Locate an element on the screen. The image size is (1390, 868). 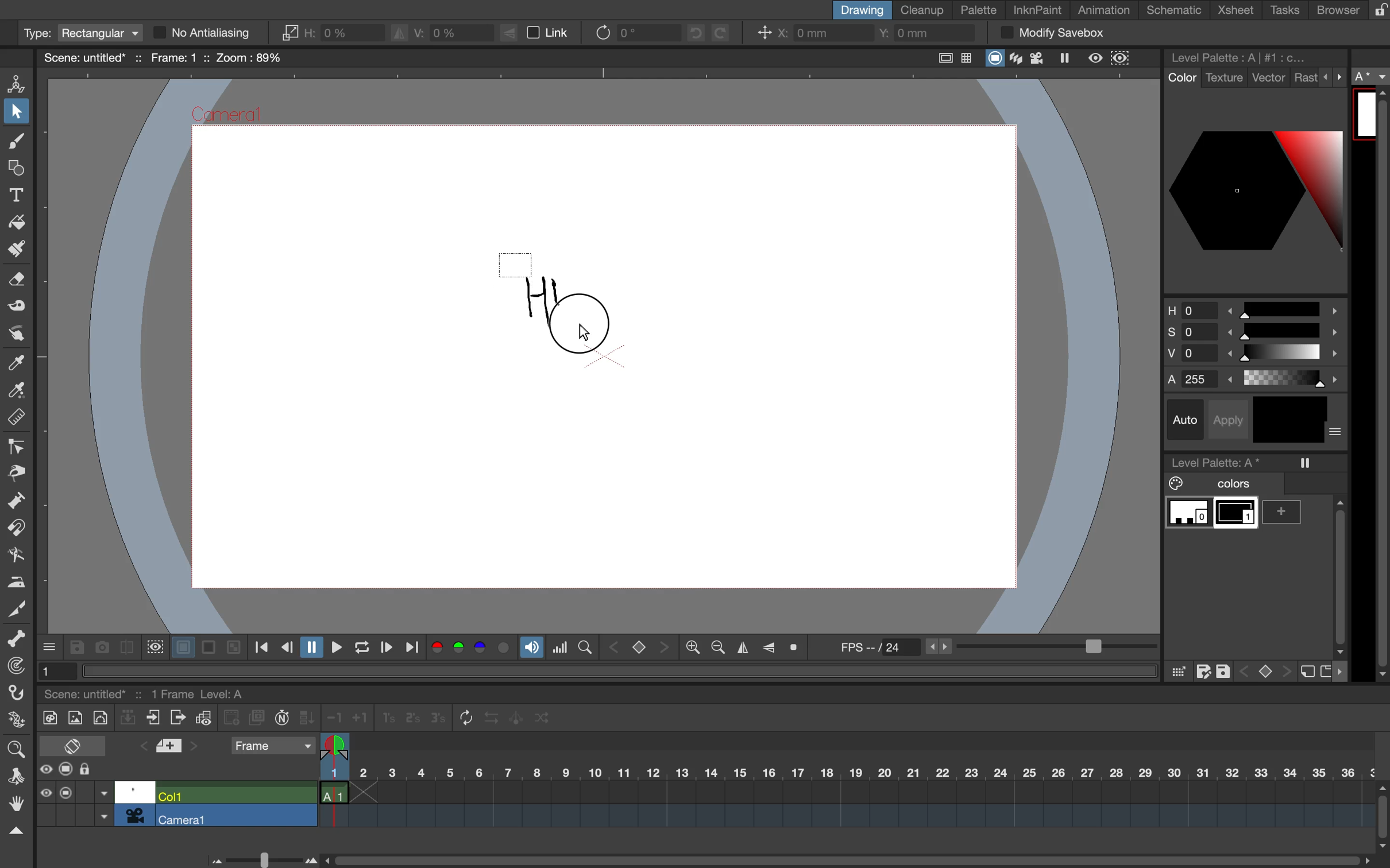
safe area is located at coordinates (942, 56).